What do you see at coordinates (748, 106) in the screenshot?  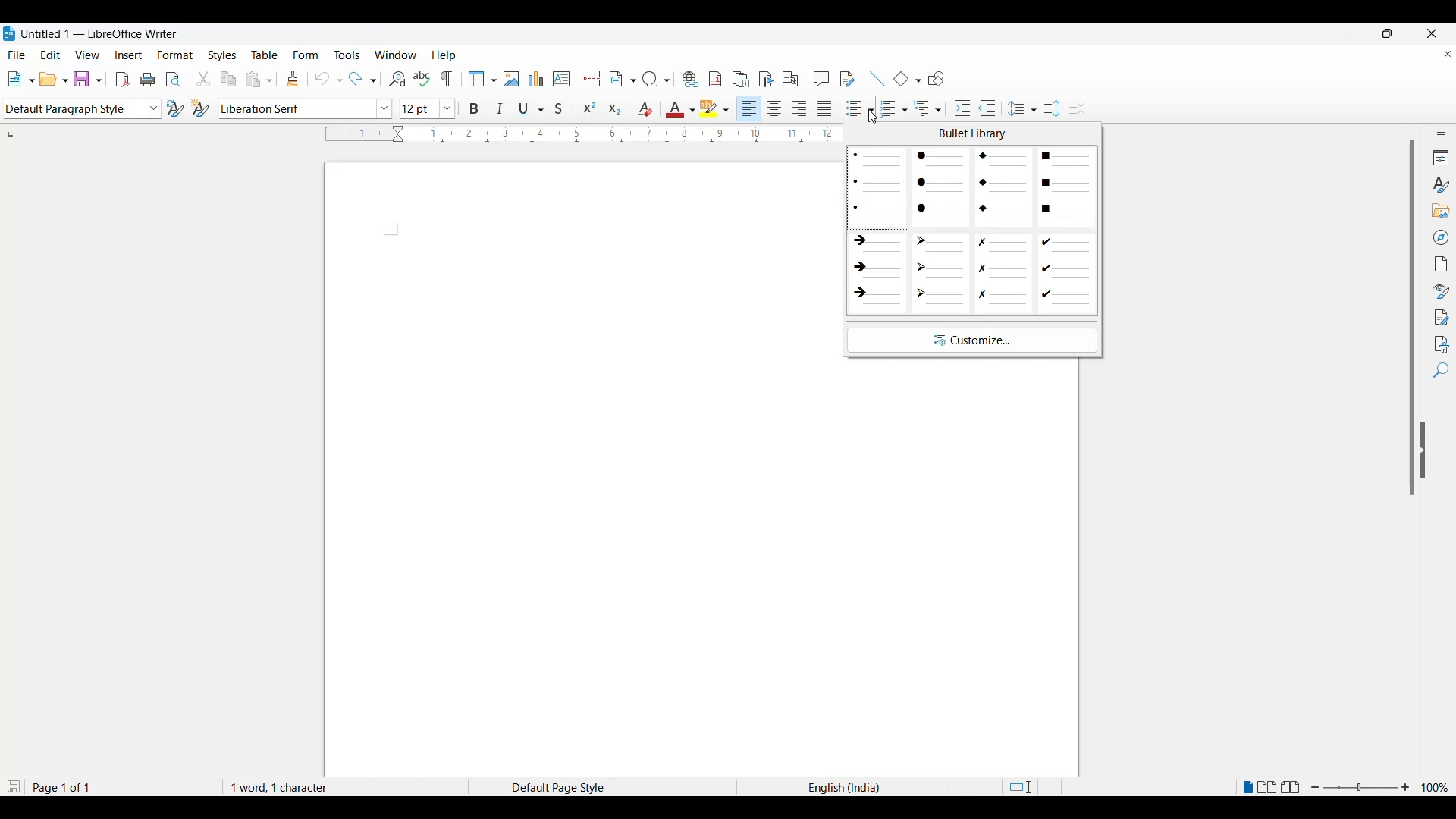 I see `align left` at bounding box center [748, 106].